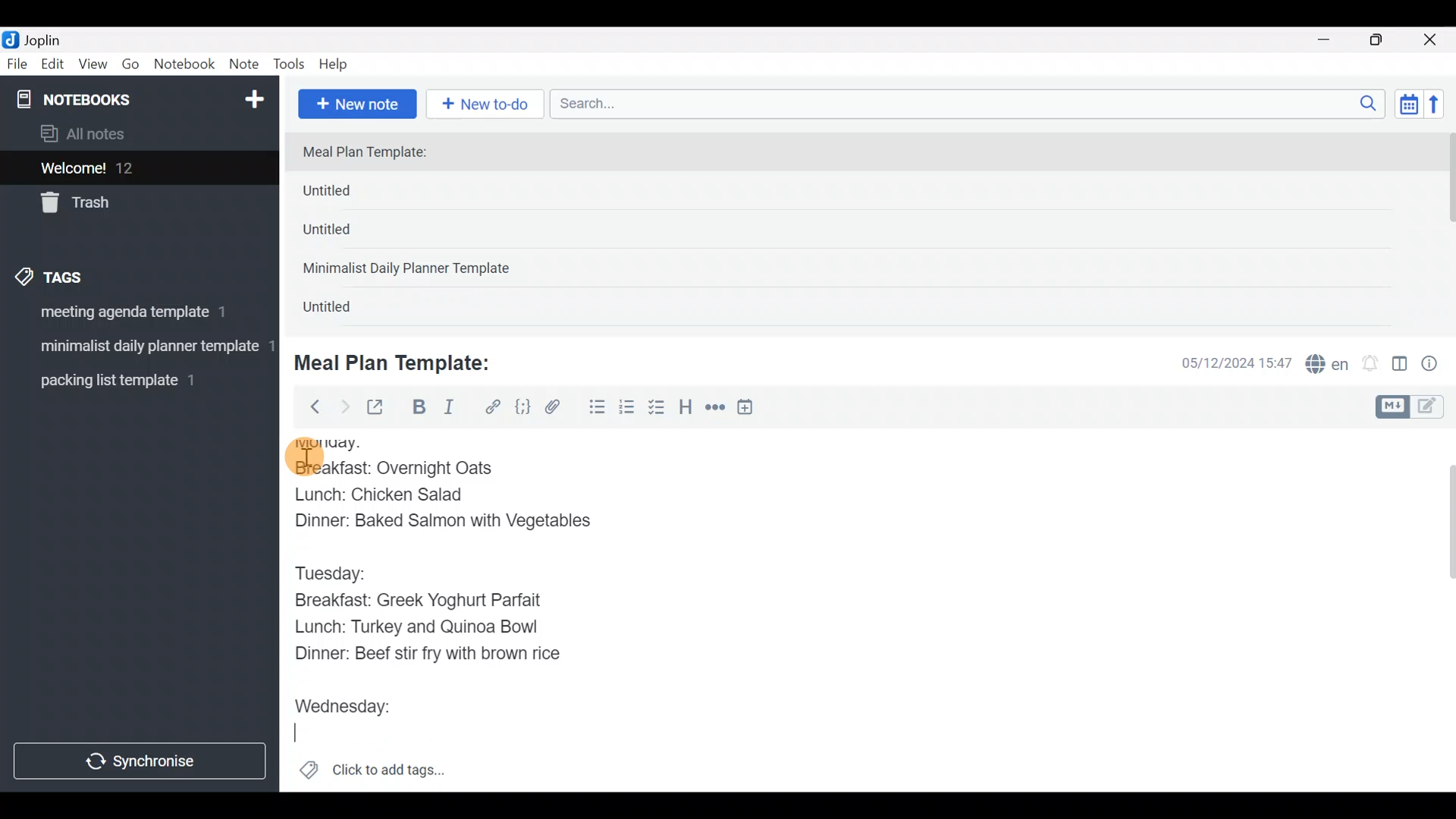 This screenshot has height=819, width=1456. I want to click on Help, so click(339, 61).